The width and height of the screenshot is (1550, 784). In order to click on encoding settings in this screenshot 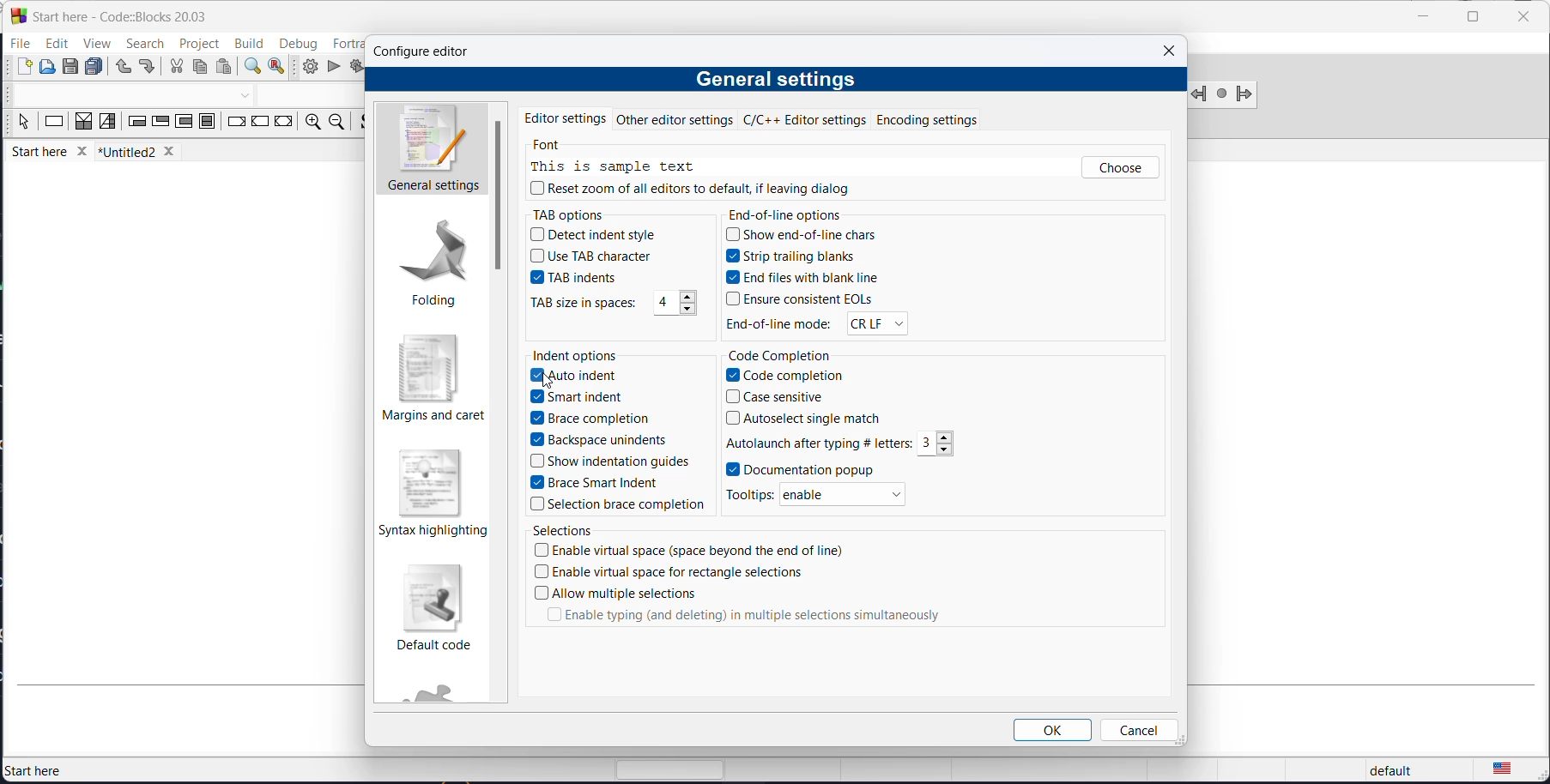, I will do `click(937, 118)`.